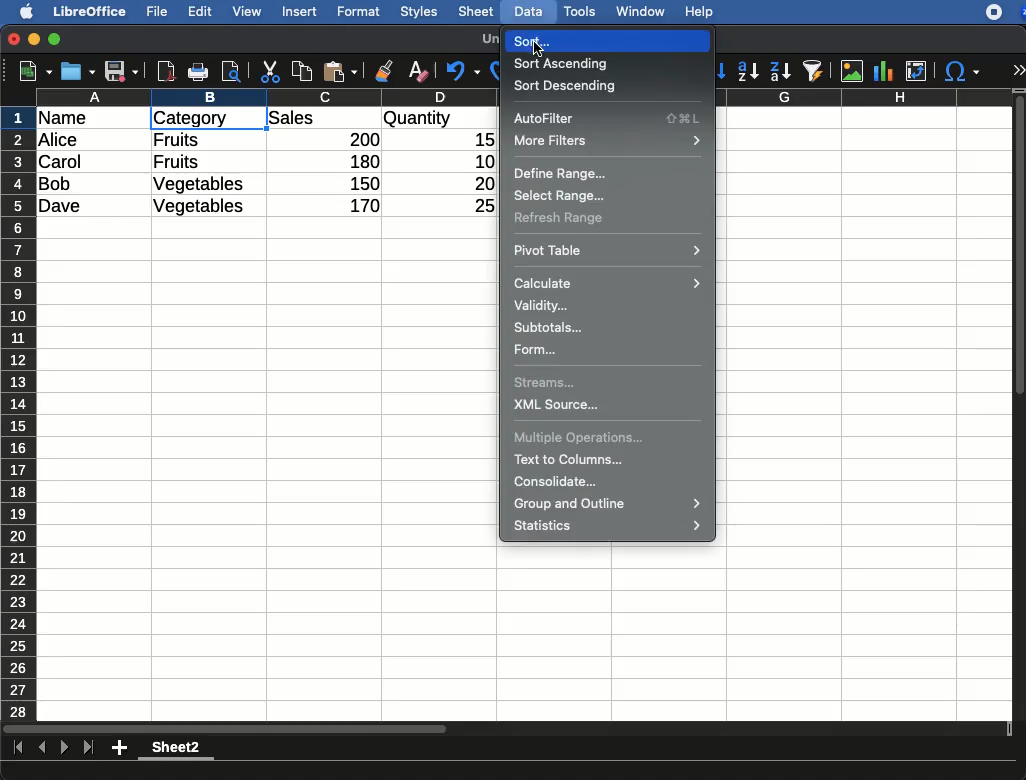 Image resolution: width=1026 pixels, height=780 pixels. Describe the element at coordinates (62, 749) in the screenshot. I see `next sheet` at that location.